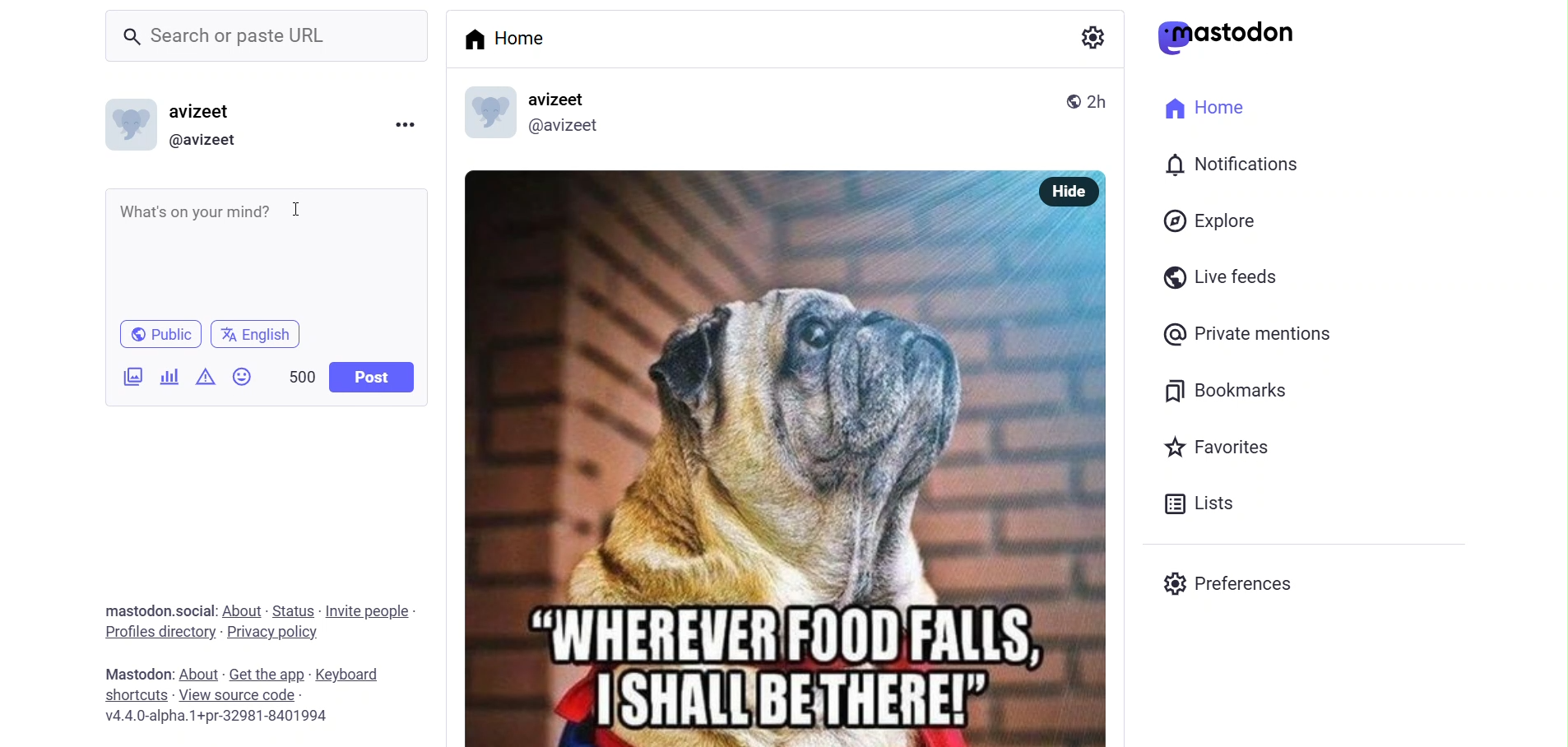 The width and height of the screenshot is (1568, 747). Describe the element at coordinates (1233, 391) in the screenshot. I see `bookmark` at that location.